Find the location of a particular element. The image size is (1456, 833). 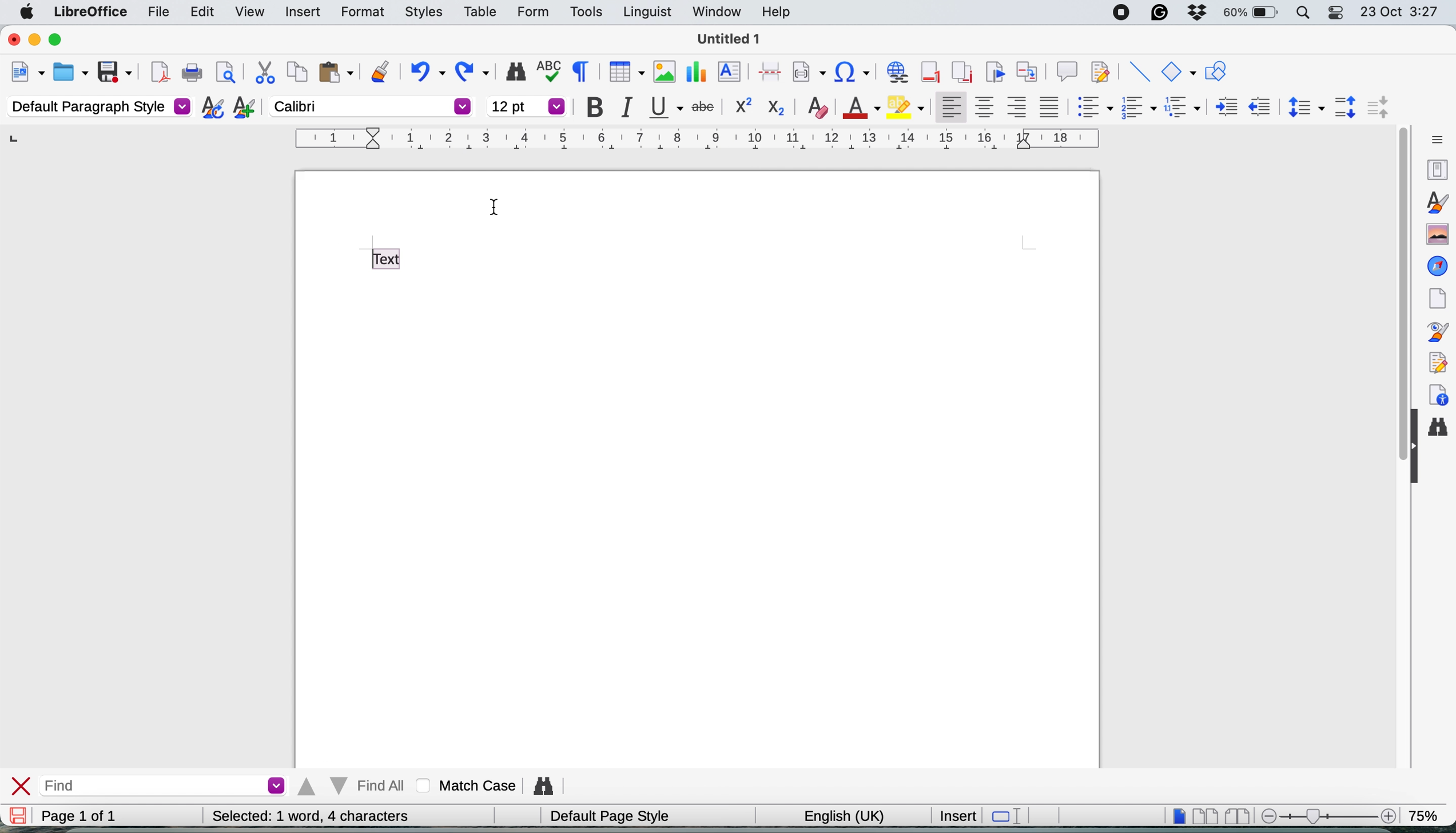

table is located at coordinates (481, 11).